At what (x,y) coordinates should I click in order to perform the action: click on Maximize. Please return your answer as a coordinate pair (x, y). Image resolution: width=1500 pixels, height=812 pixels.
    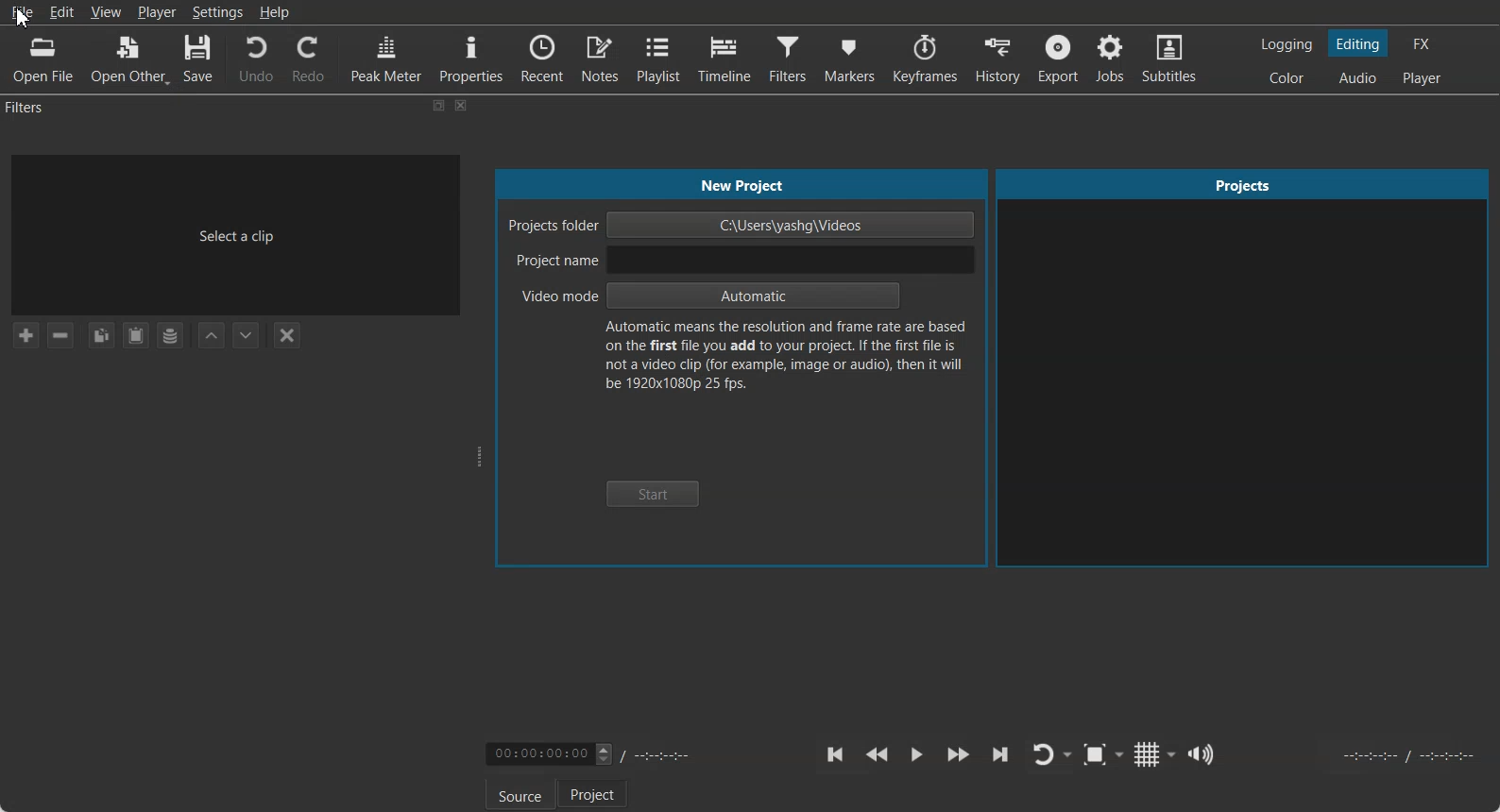
    Looking at the image, I should click on (439, 105).